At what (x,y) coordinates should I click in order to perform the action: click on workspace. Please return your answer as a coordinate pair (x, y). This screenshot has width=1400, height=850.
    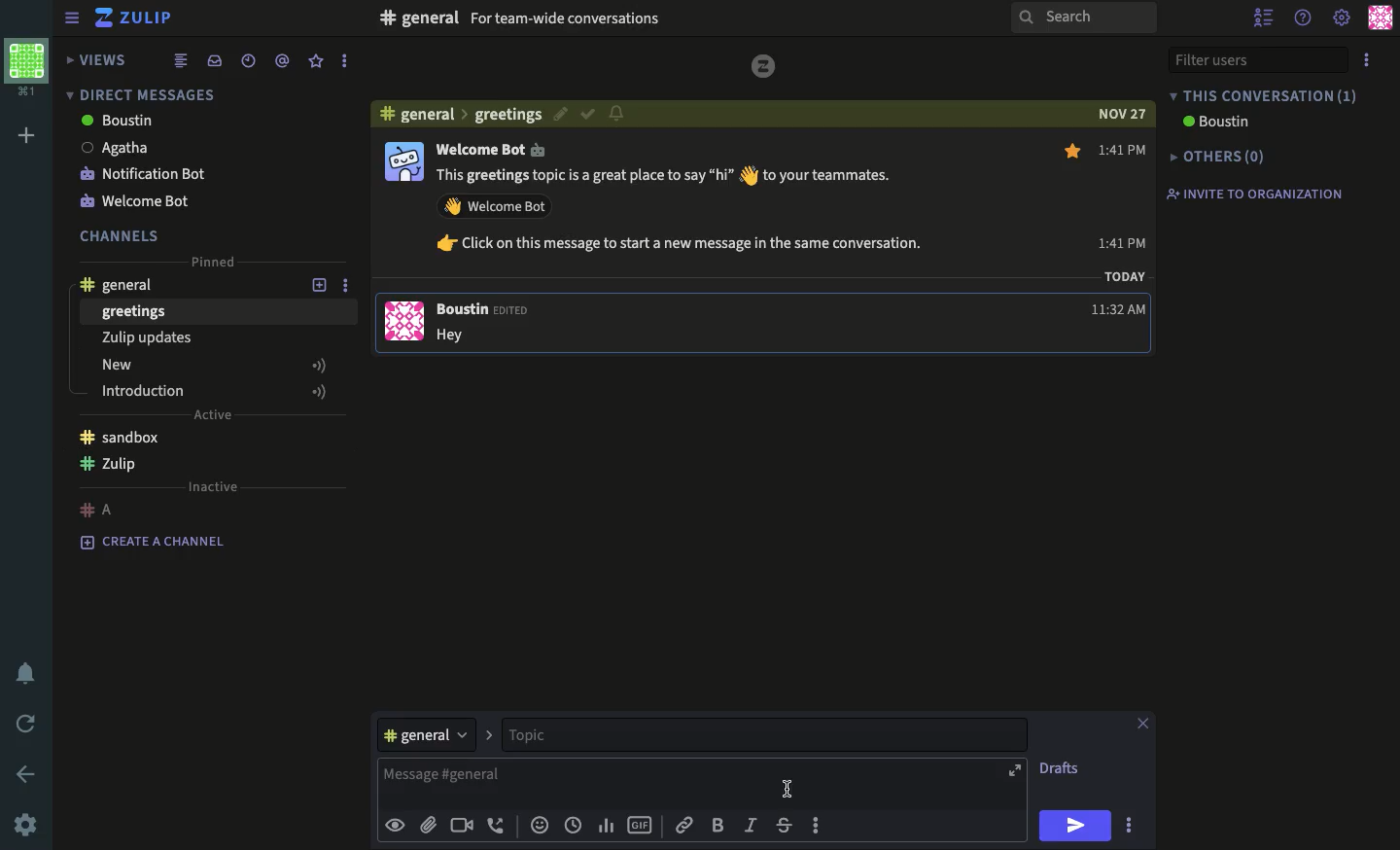
    Looking at the image, I should click on (30, 66).